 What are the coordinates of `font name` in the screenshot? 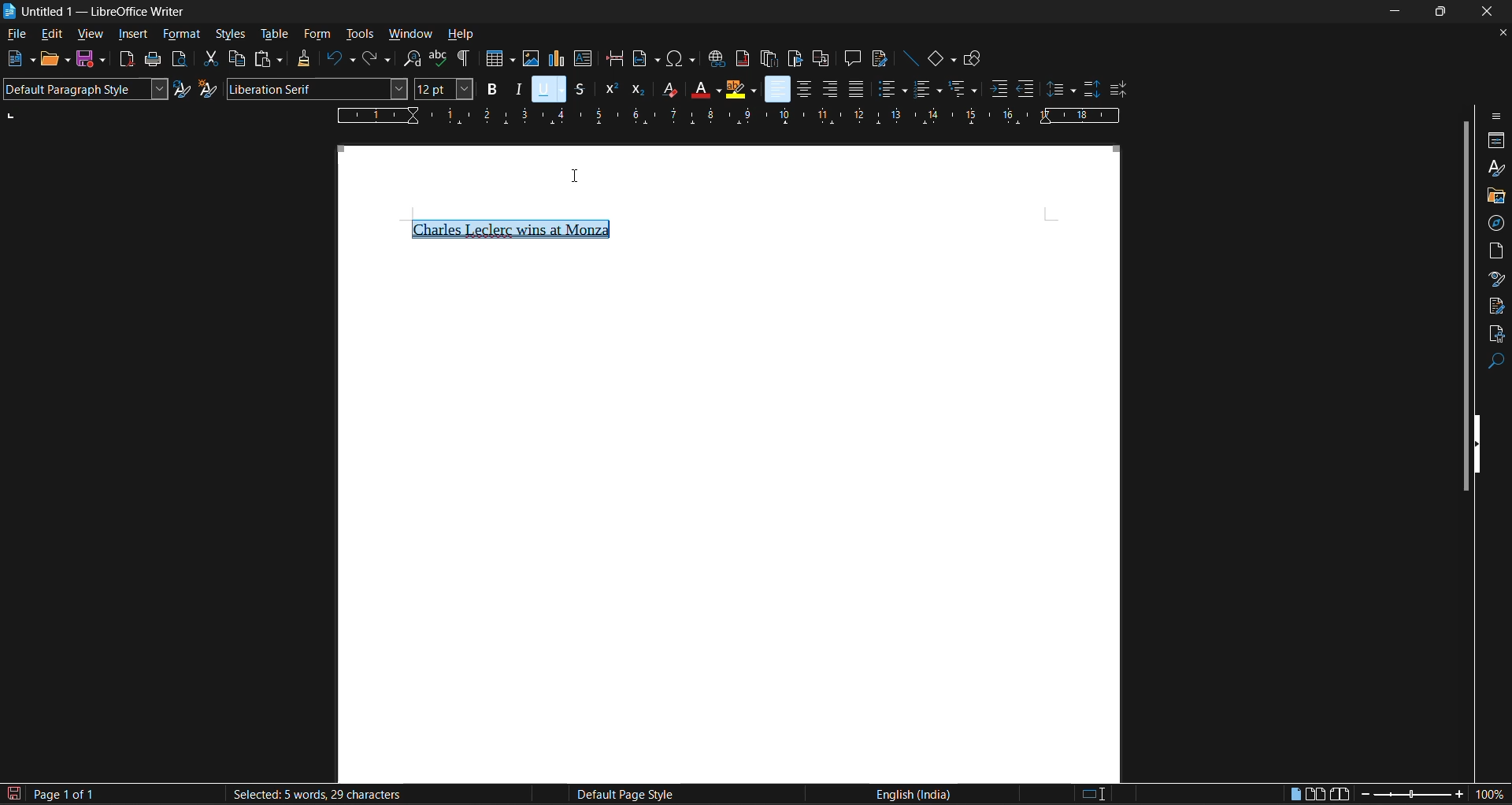 It's located at (316, 88).